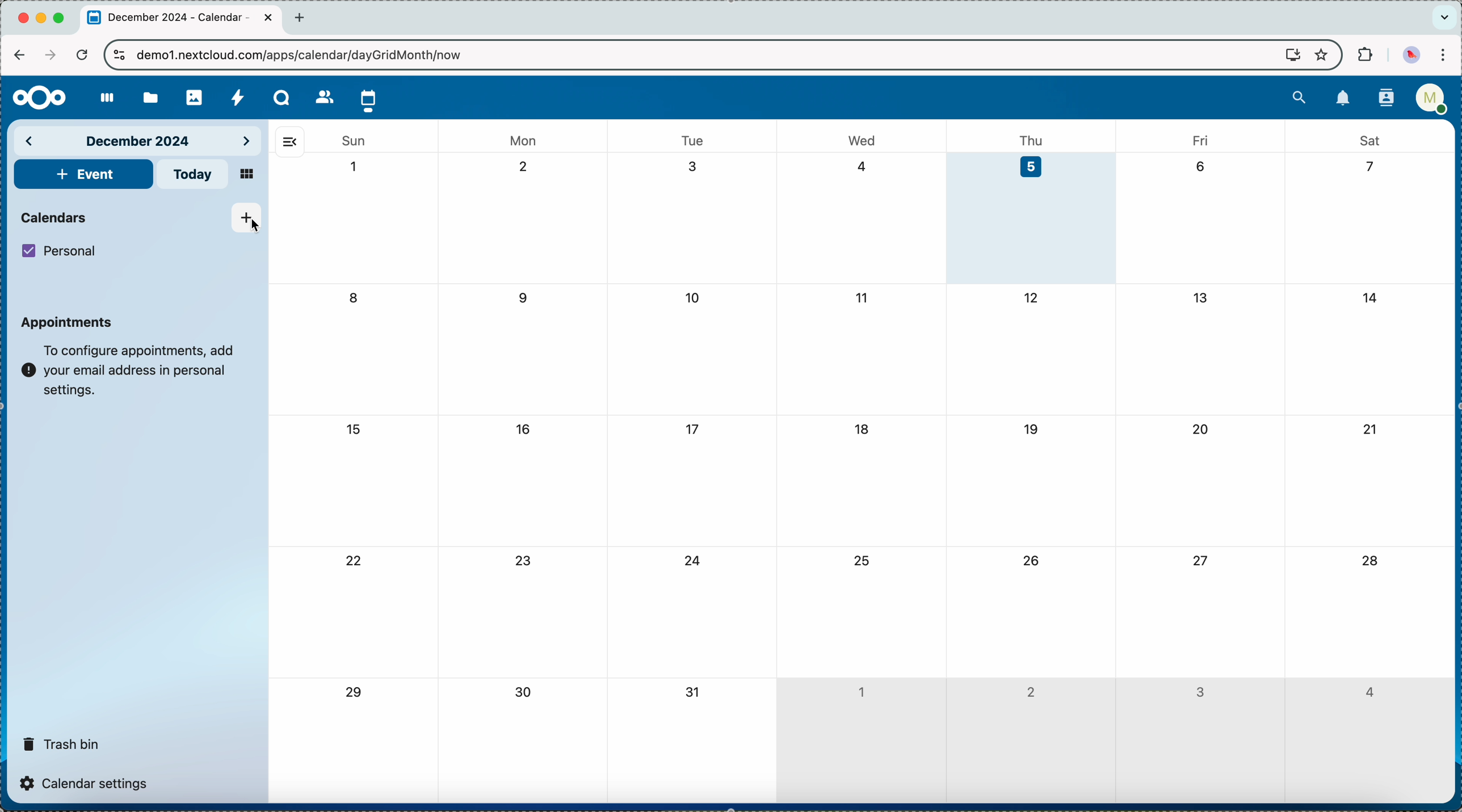 Image resolution: width=1462 pixels, height=812 pixels. What do you see at coordinates (132, 371) in the screenshot?
I see `note` at bounding box center [132, 371].